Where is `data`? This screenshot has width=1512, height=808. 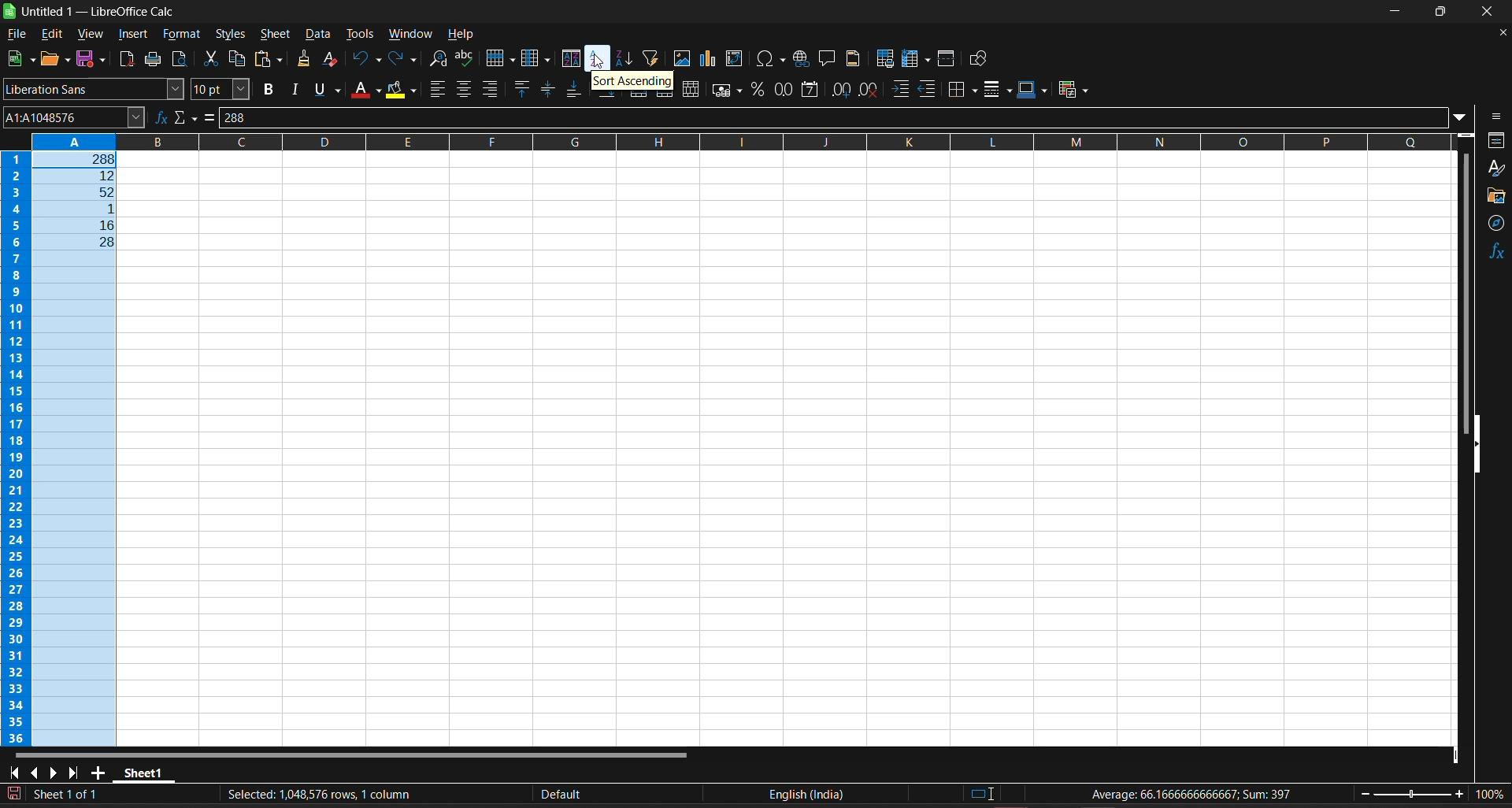 data is located at coordinates (319, 36).